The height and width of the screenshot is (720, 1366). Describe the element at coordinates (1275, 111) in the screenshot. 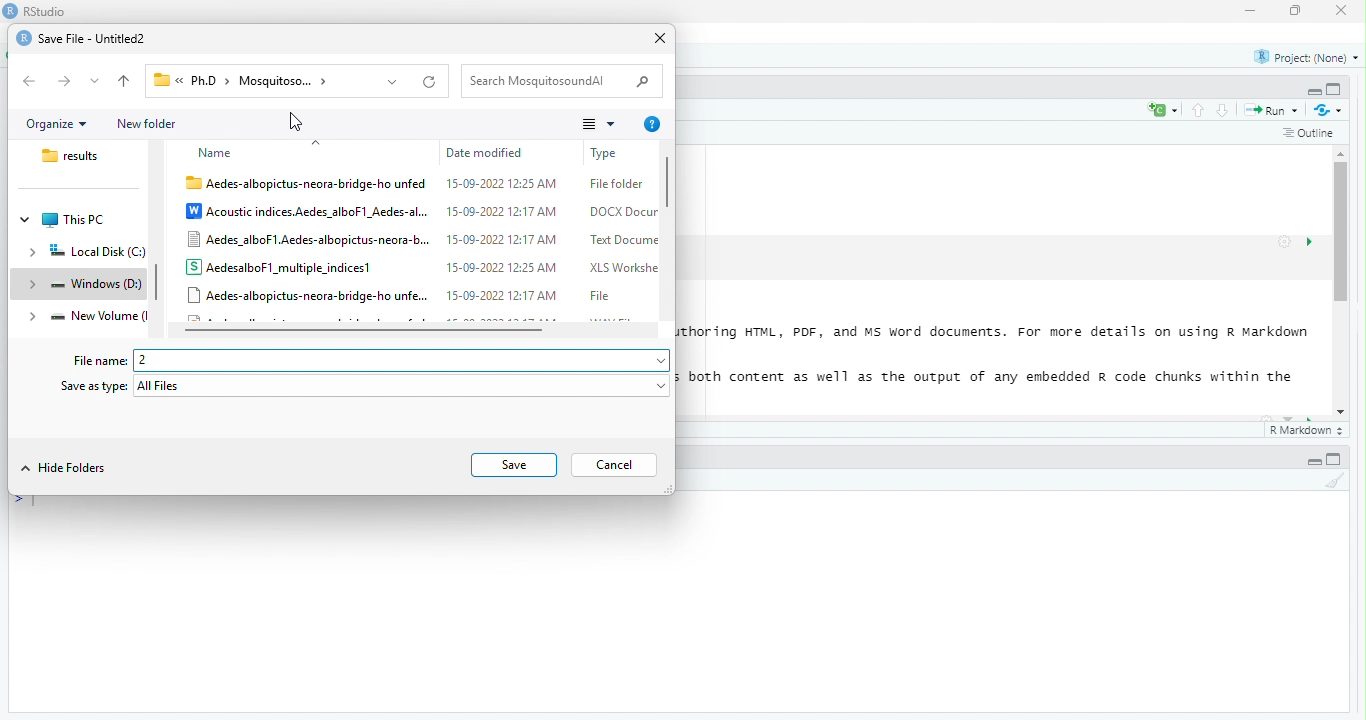

I see `Run` at that location.